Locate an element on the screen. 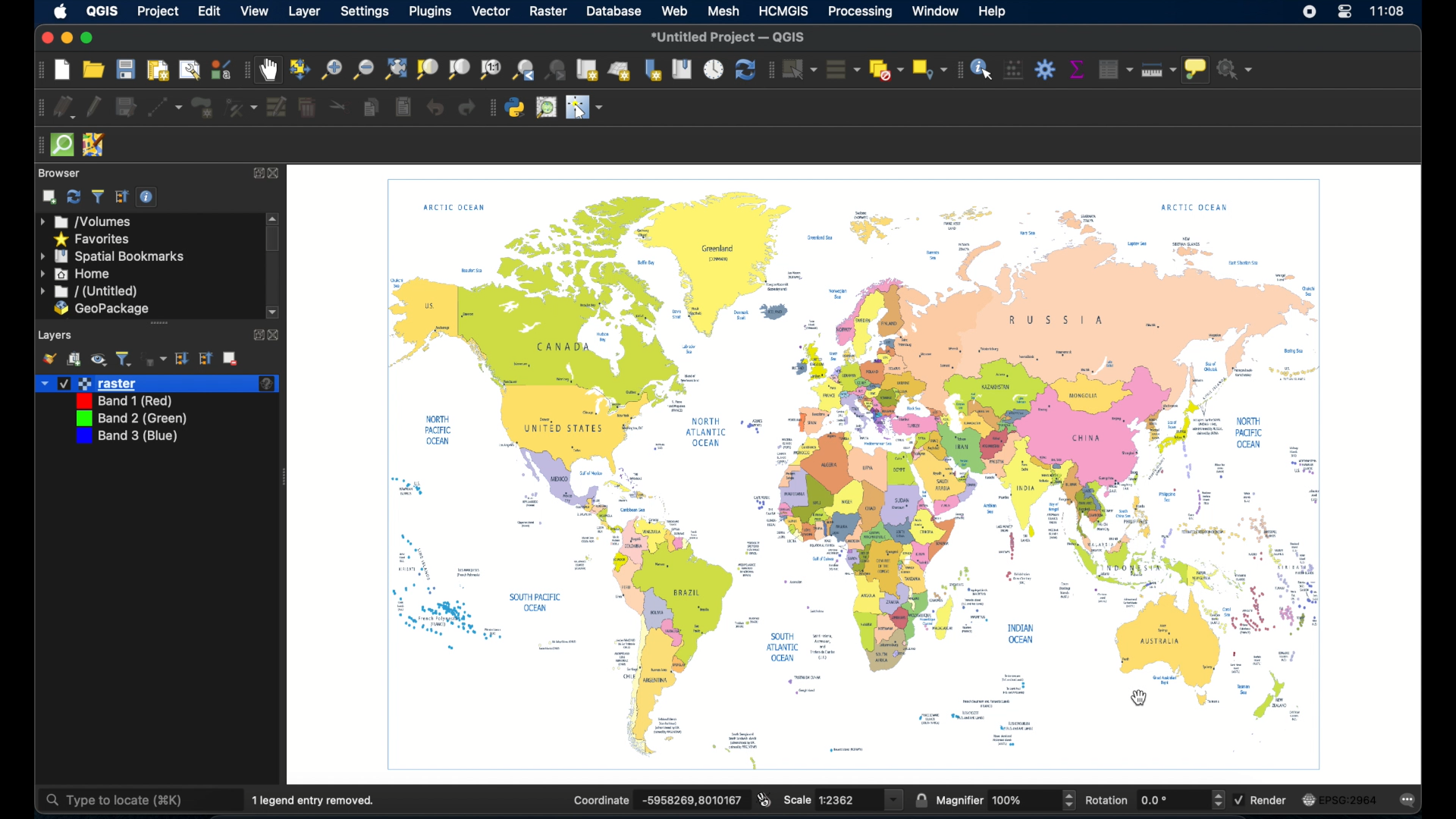 The image size is (1456, 819). Band 2 is located at coordinates (131, 419).